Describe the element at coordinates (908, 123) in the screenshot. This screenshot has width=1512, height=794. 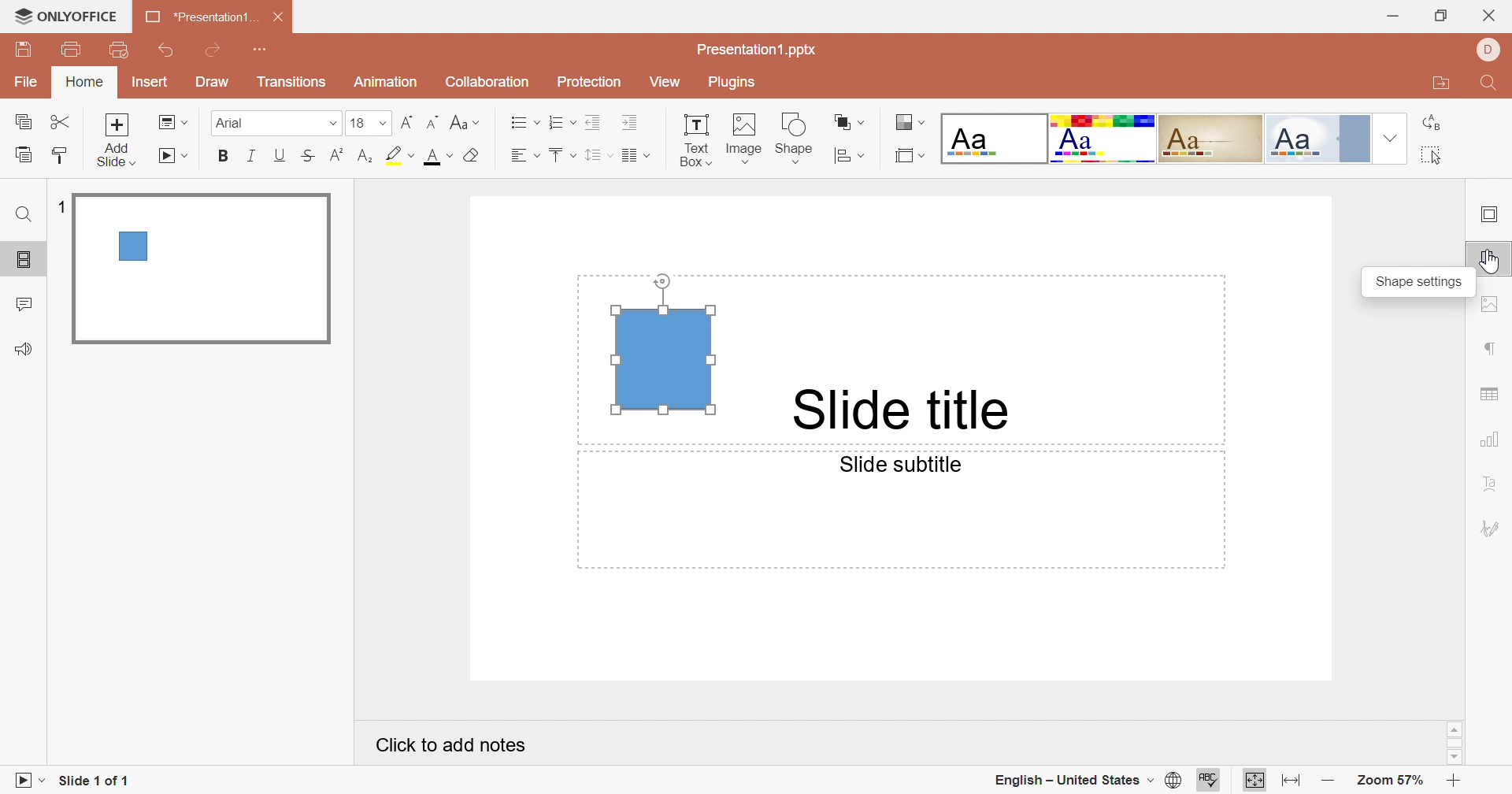
I see `Change color theme` at that location.